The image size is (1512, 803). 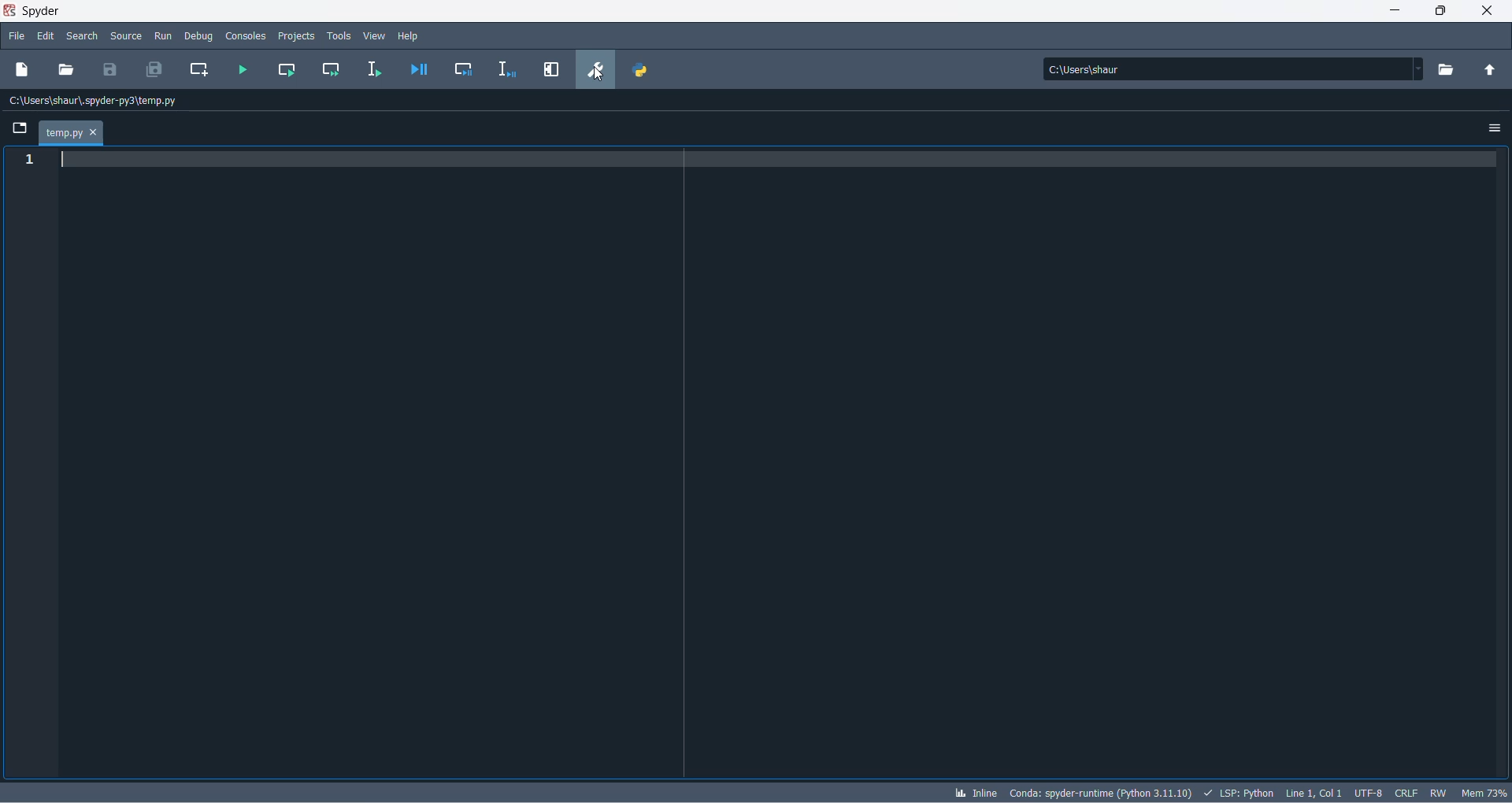 What do you see at coordinates (639, 70) in the screenshot?
I see `PYTHON PATH MANAGER` at bounding box center [639, 70].